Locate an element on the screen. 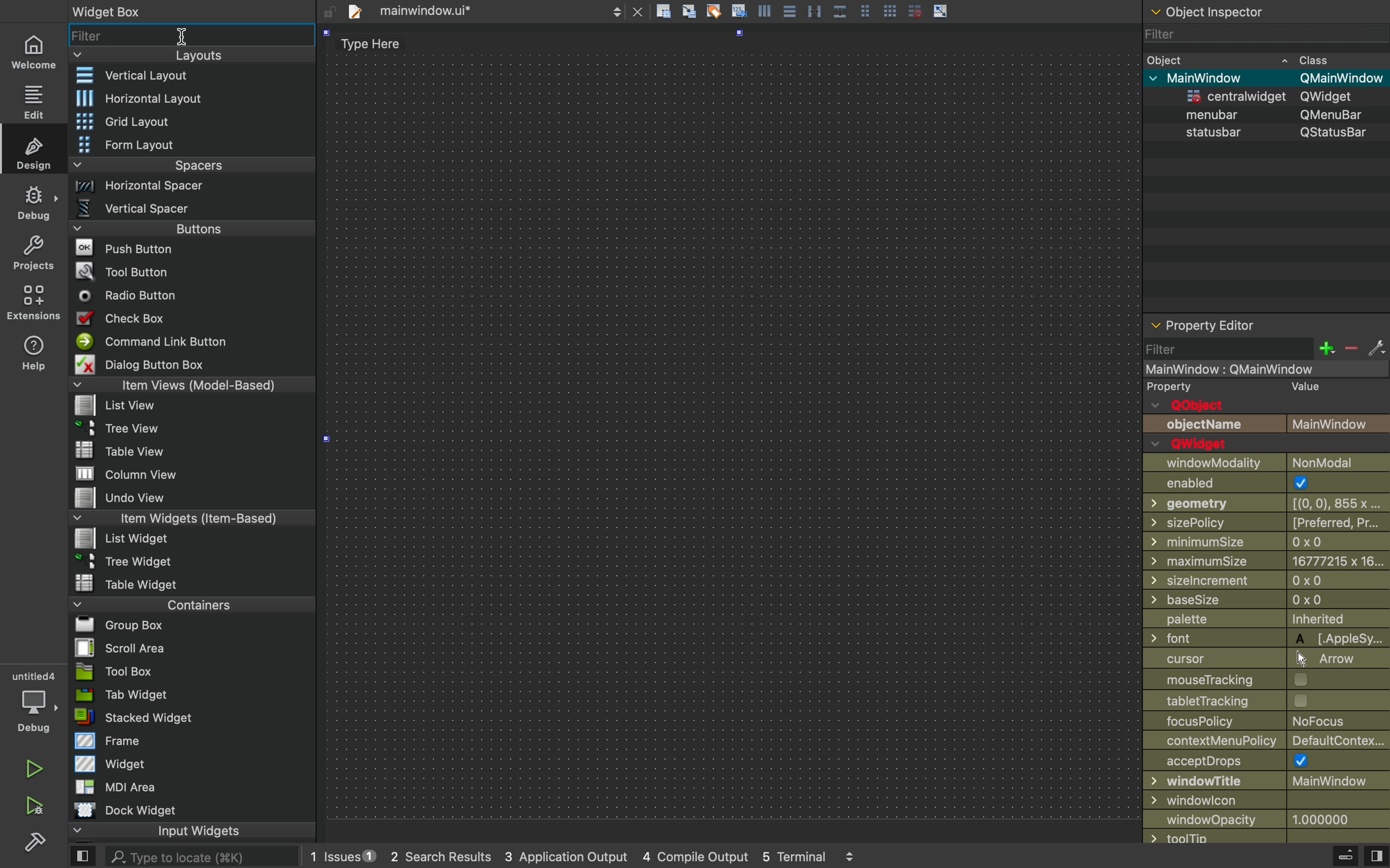 Image resolution: width=1390 pixels, height=868 pixels. scroll area is located at coordinates (194, 648).